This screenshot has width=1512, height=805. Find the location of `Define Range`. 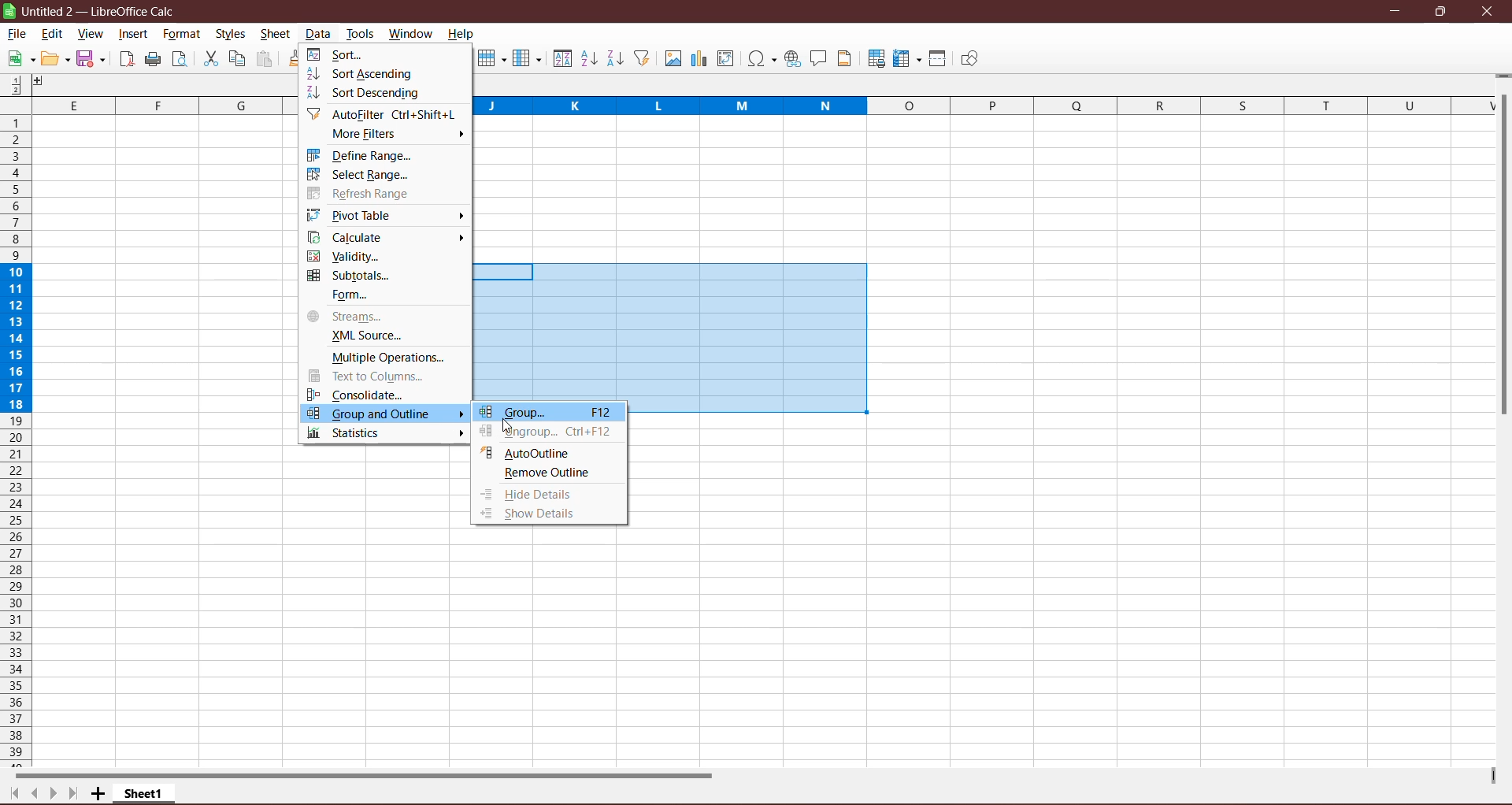

Define Range is located at coordinates (365, 155).